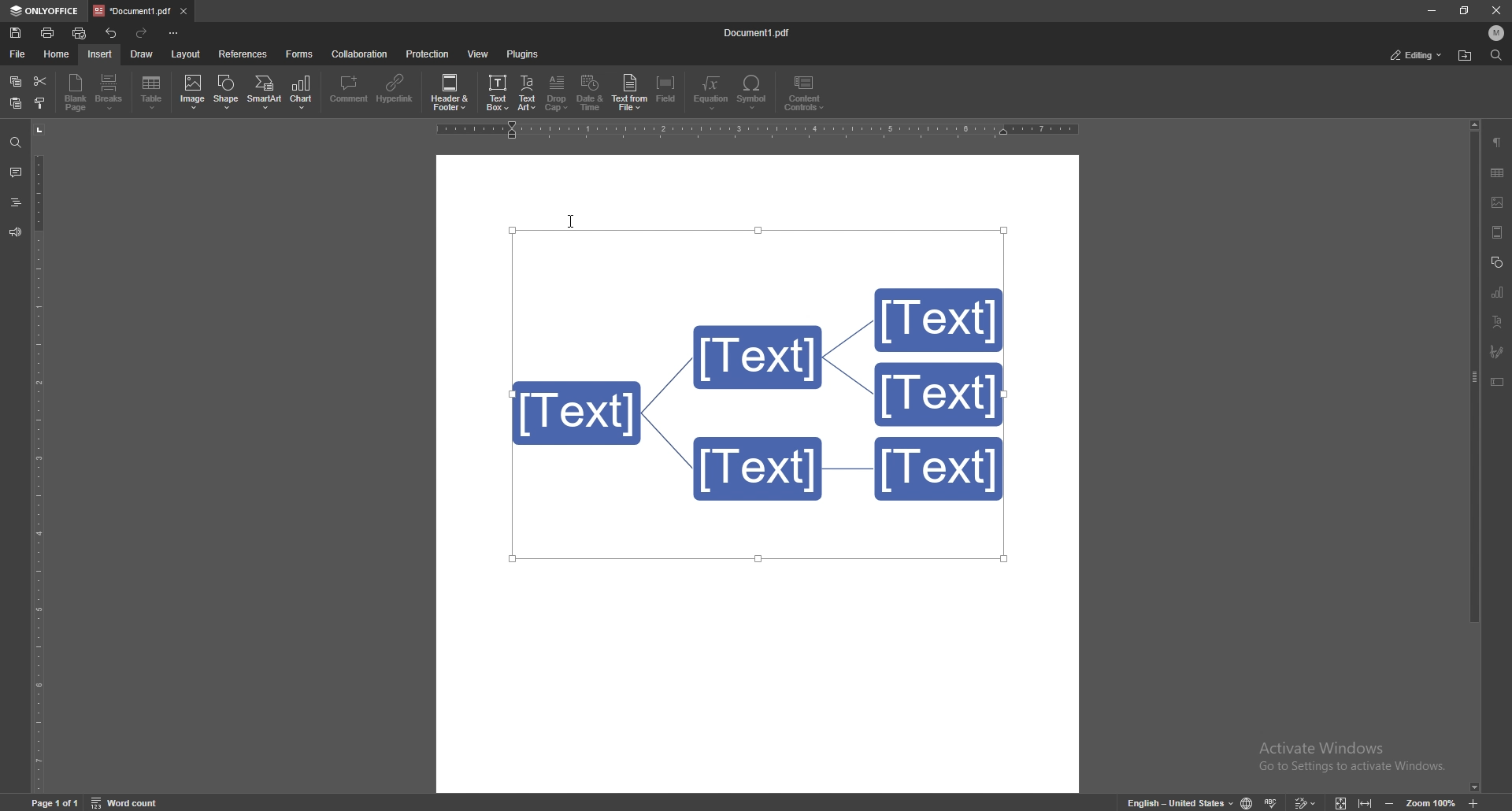 Image resolution: width=1512 pixels, height=811 pixels. I want to click on equation, so click(713, 92).